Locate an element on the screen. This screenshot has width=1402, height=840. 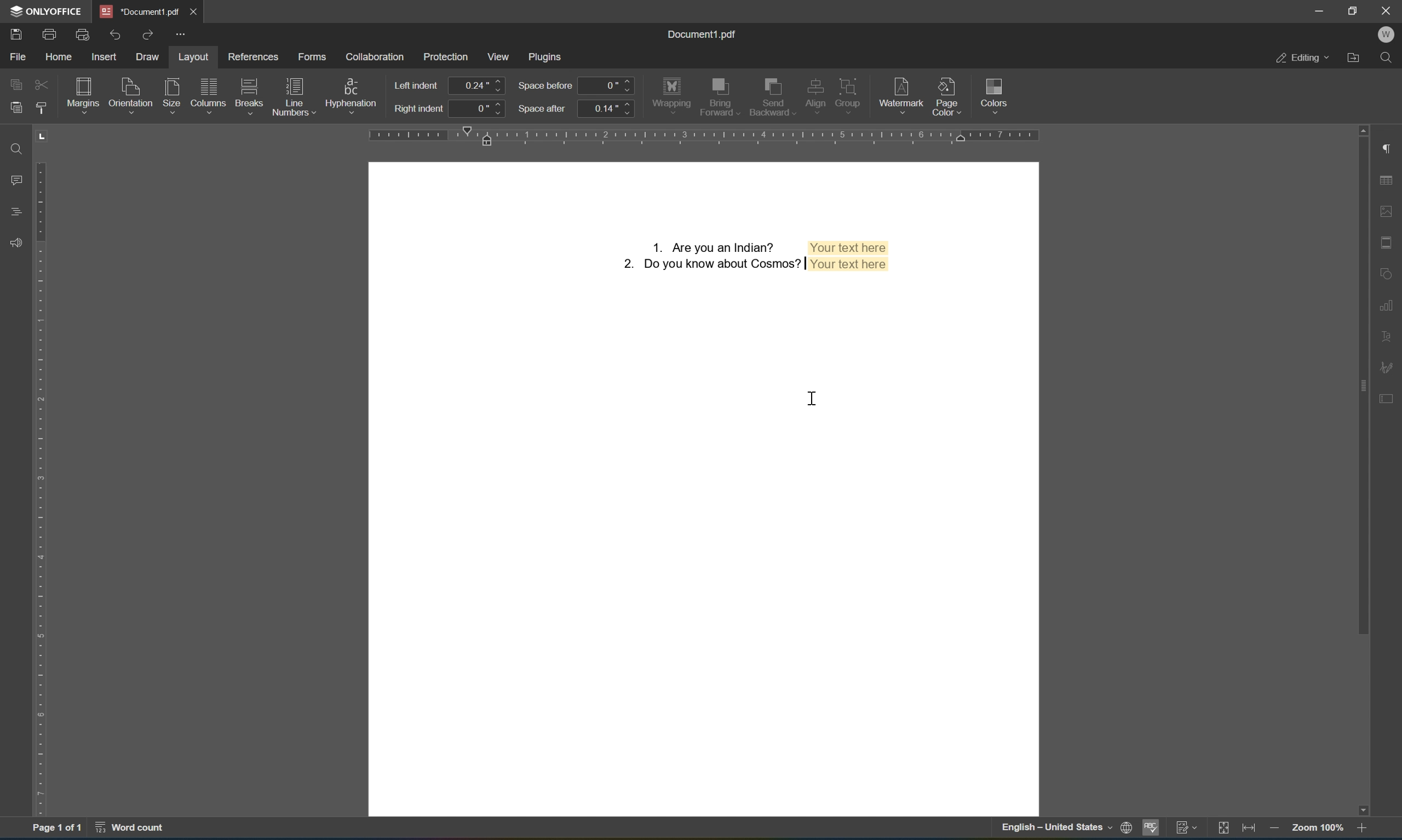
English- United States is located at coordinates (1064, 829).